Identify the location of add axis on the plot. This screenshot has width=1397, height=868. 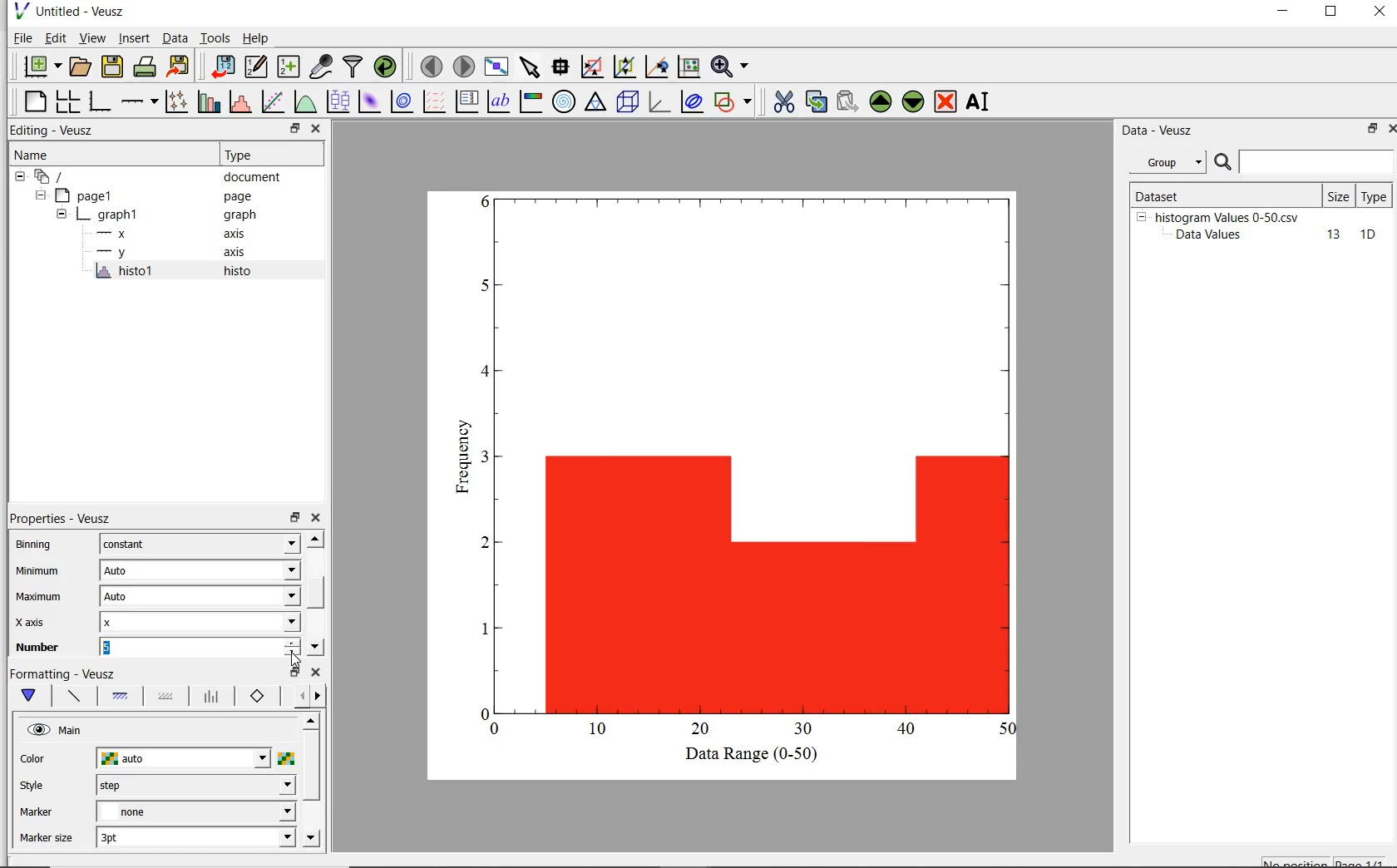
(139, 100).